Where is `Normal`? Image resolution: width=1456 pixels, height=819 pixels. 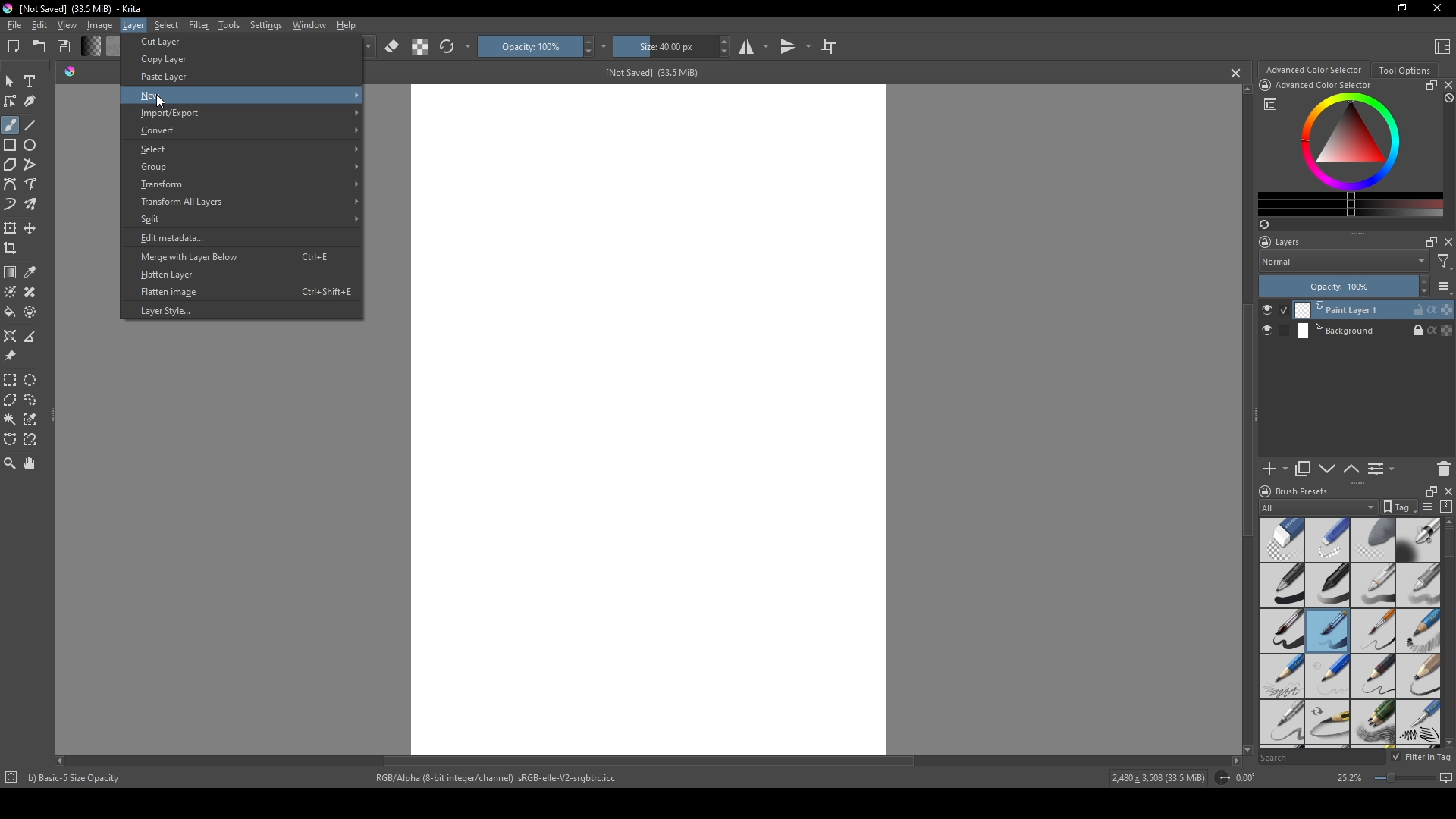
Normal is located at coordinates (1344, 261).